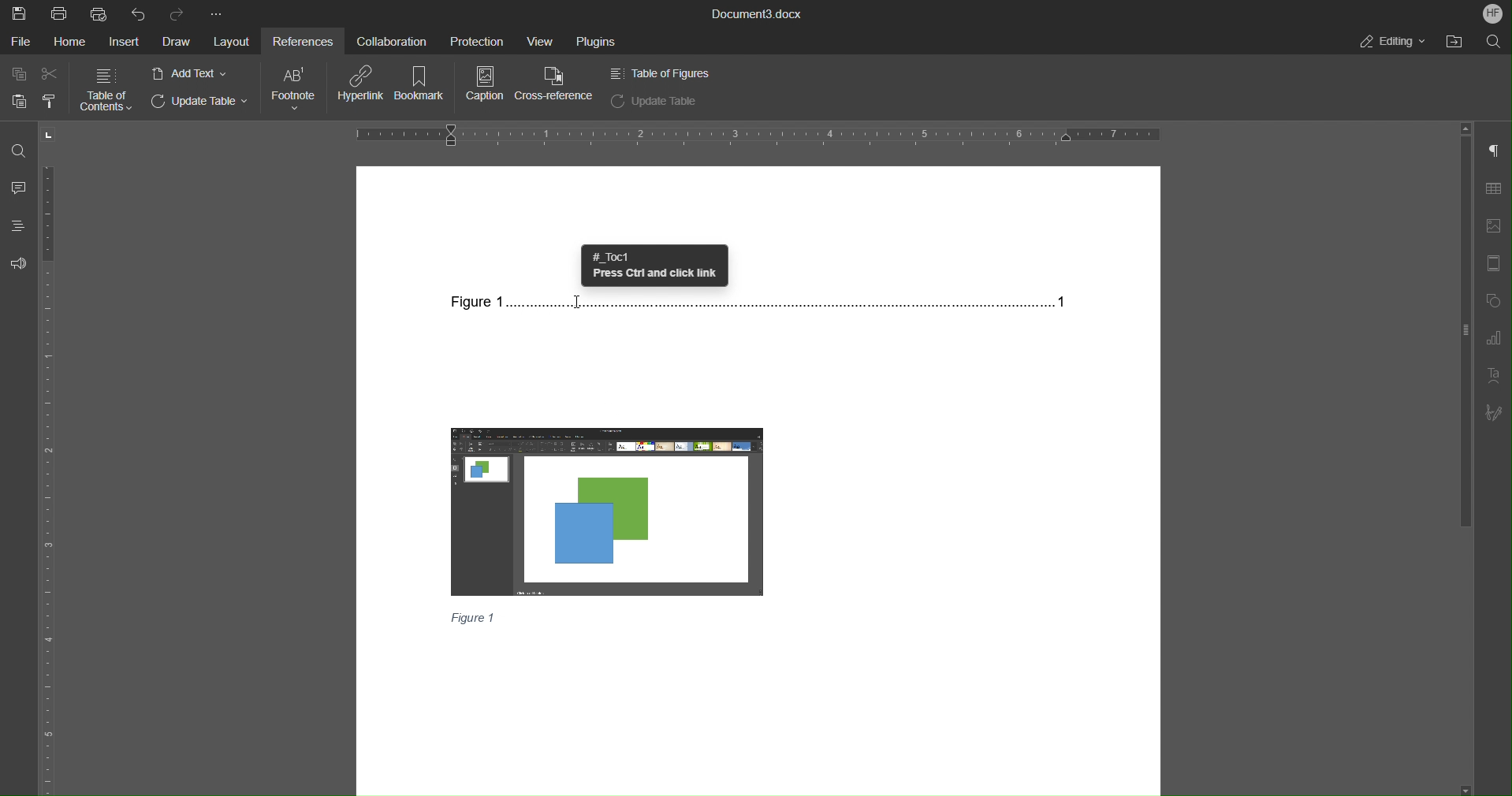  What do you see at coordinates (534, 39) in the screenshot?
I see `View ` at bounding box center [534, 39].